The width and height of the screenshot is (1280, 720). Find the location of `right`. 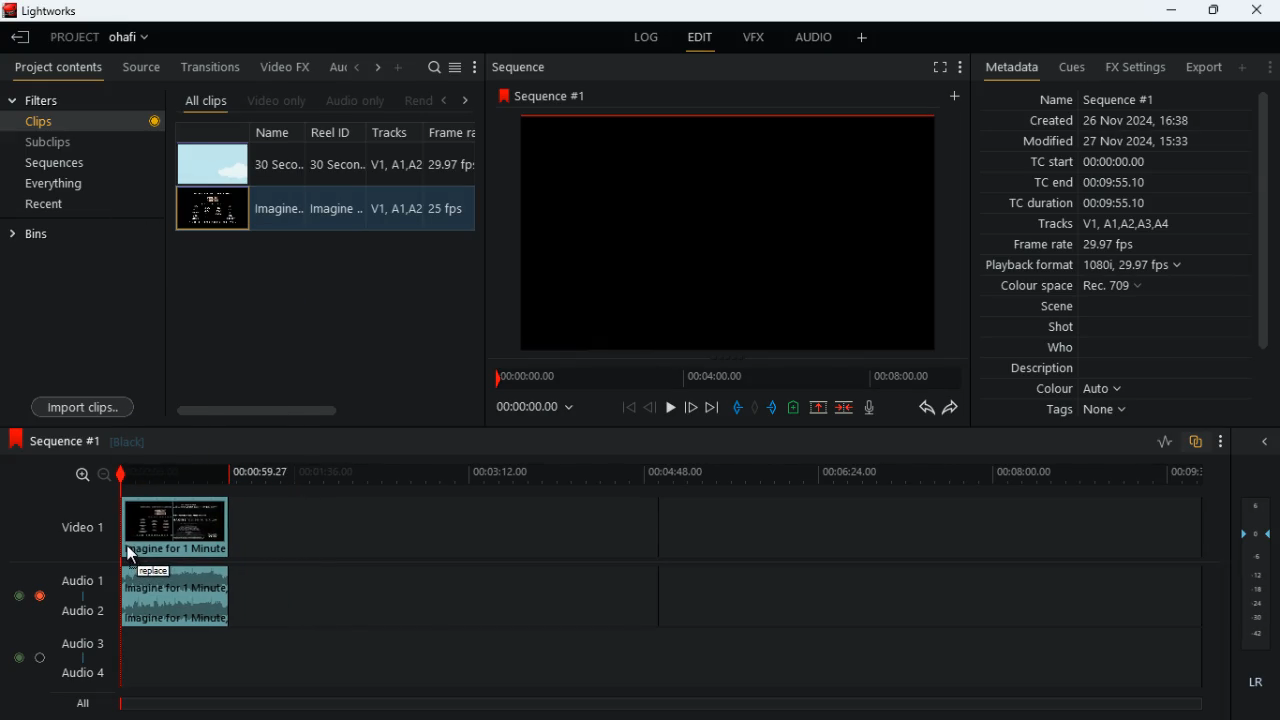

right is located at coordinates (466, 100).